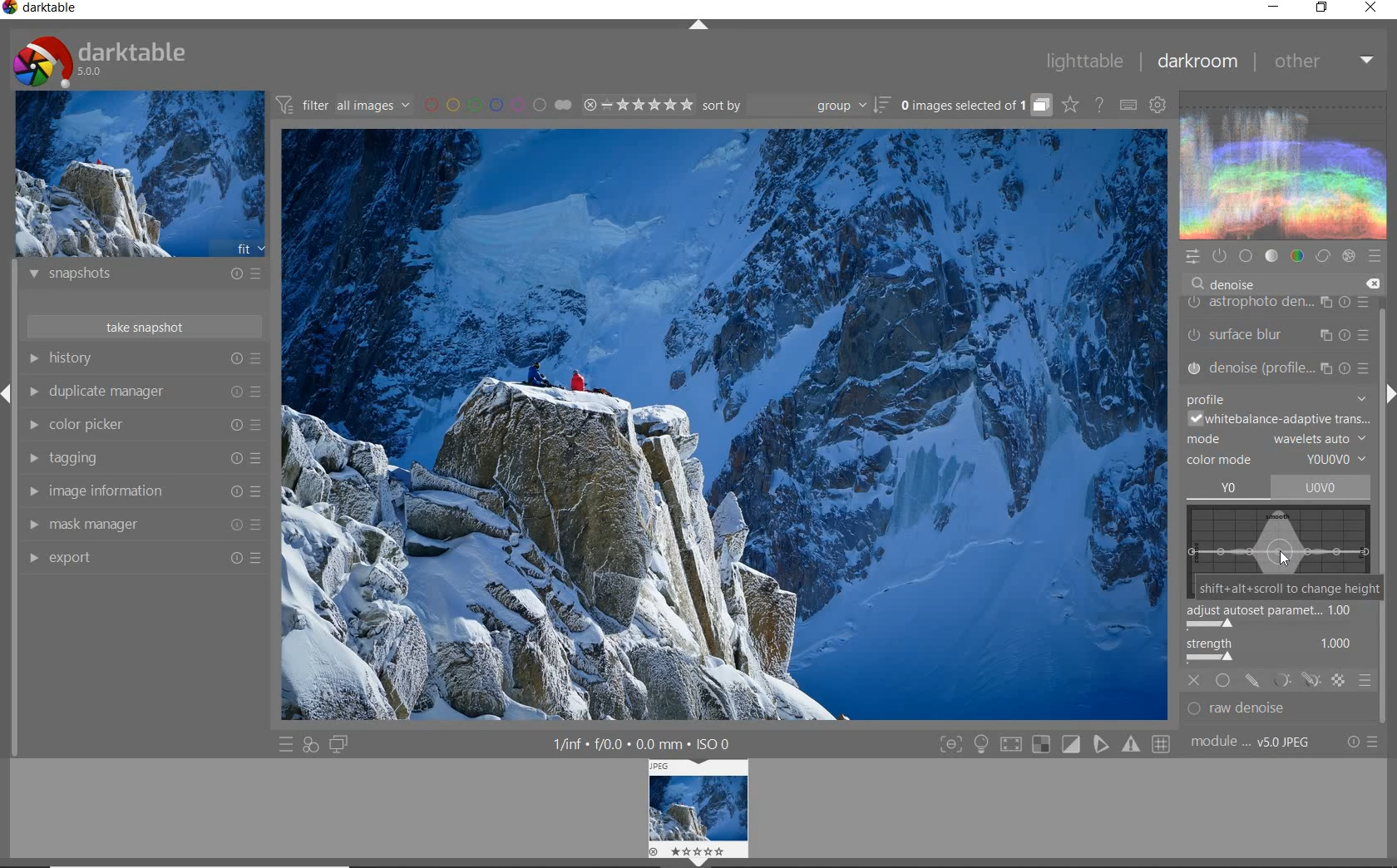 This screenshot has width=1397, height=868. Describe the element at coordinates (1264, 710) in the screenshot. I see `RAW DENOISE` at that location.